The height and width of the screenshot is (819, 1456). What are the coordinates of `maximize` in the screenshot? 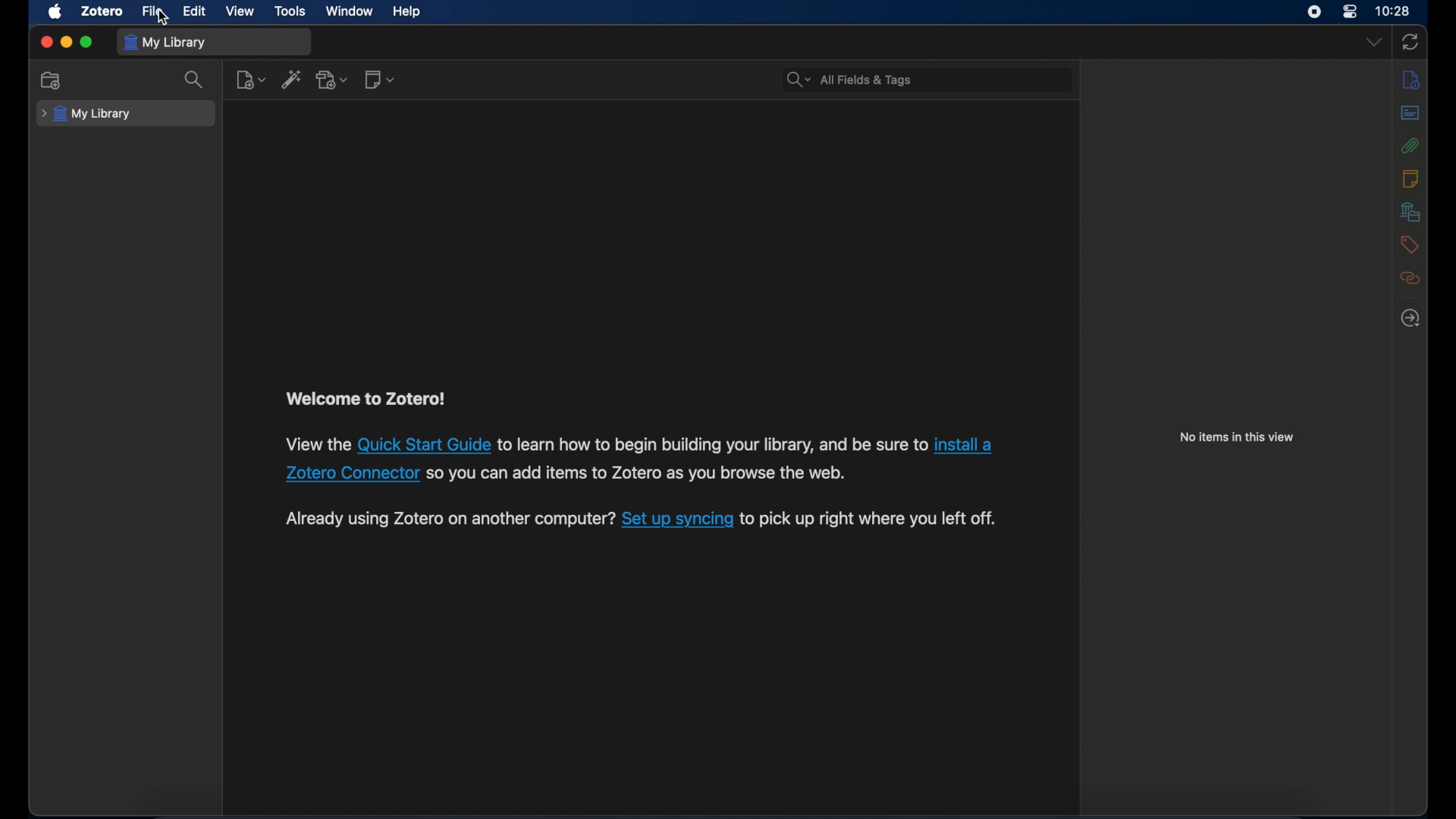 It's located at (86, 42).